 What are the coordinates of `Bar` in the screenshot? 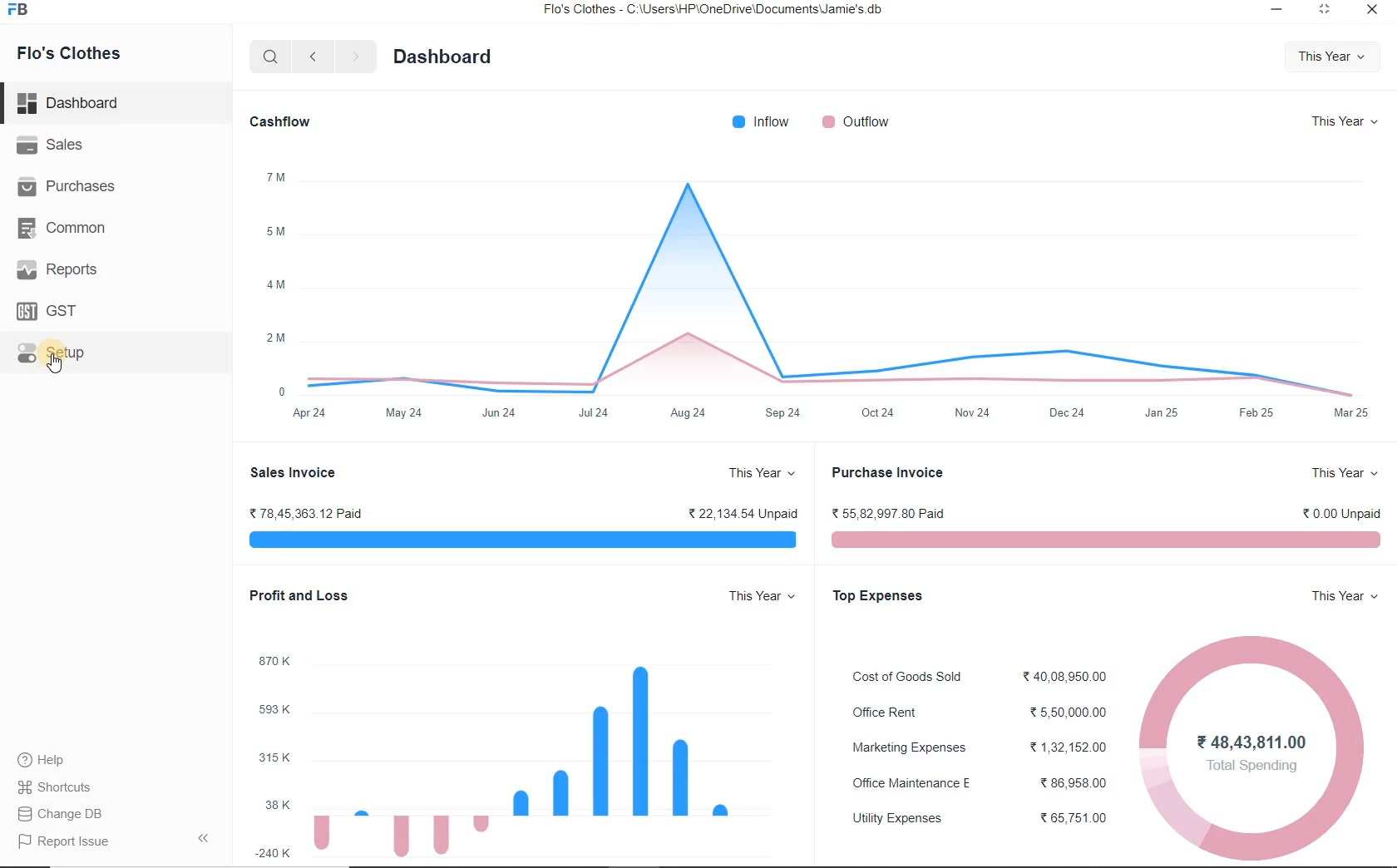 It's located at (1104, 540).